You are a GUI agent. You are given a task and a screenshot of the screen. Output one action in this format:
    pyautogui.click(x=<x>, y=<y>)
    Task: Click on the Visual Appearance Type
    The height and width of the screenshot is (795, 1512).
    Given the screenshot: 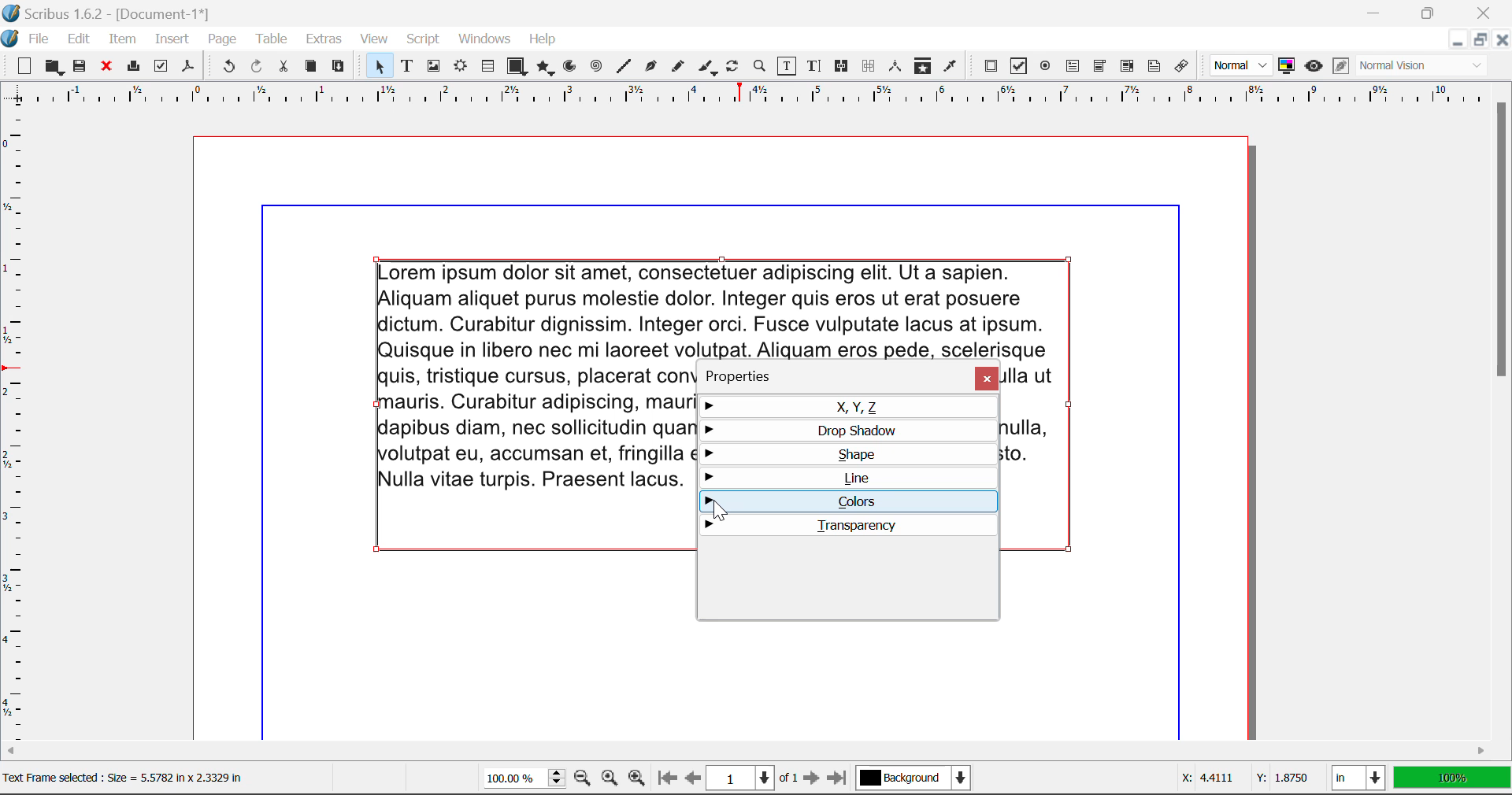 What is the action you would take?
    pyautogui.click(x=1423, y=67)
    